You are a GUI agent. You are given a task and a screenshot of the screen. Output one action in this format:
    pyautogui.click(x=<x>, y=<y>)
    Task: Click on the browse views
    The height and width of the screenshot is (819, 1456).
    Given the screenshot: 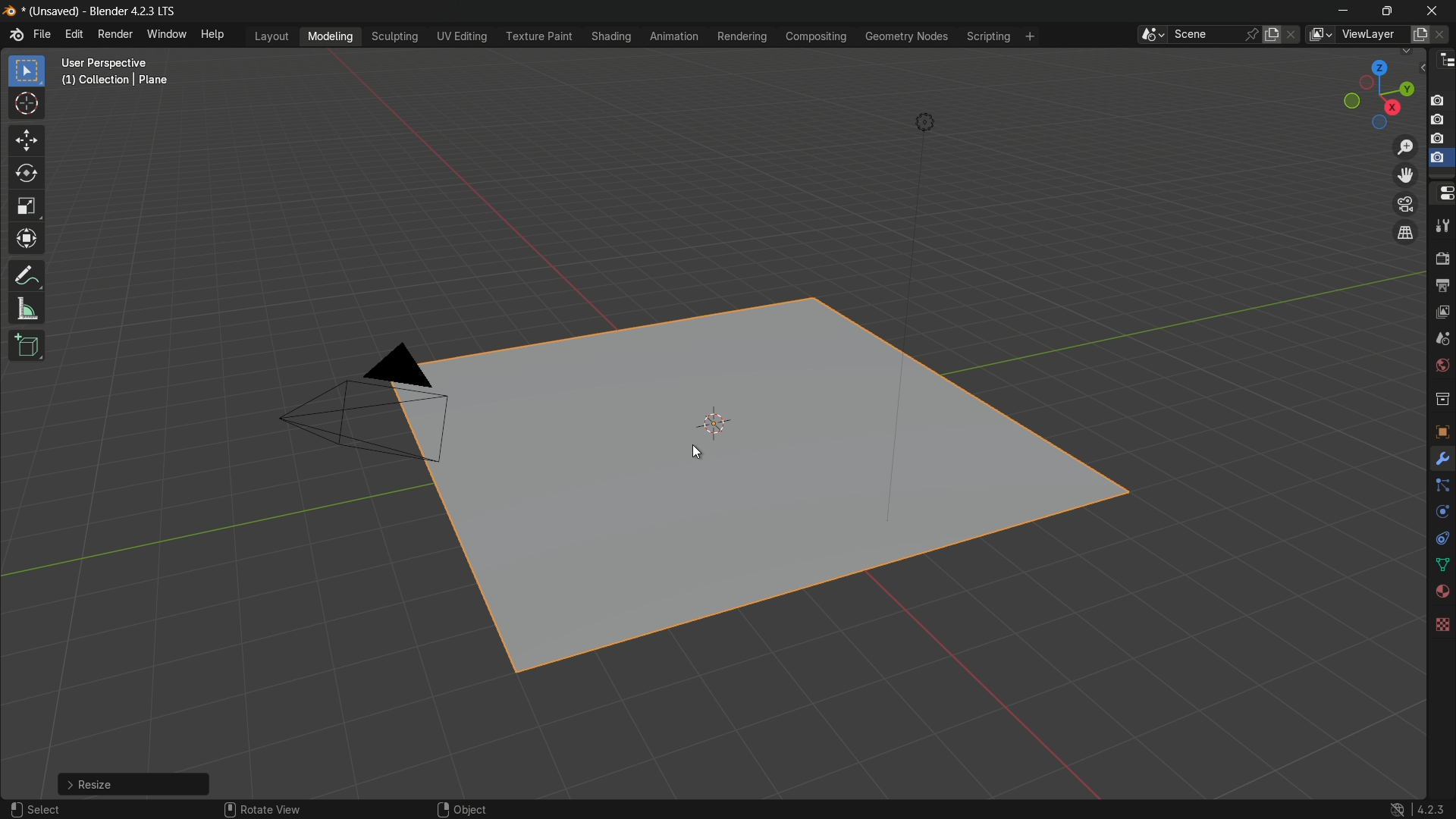 What is the action you would take?
    pyautogui.click(x=1321, y=34)
    